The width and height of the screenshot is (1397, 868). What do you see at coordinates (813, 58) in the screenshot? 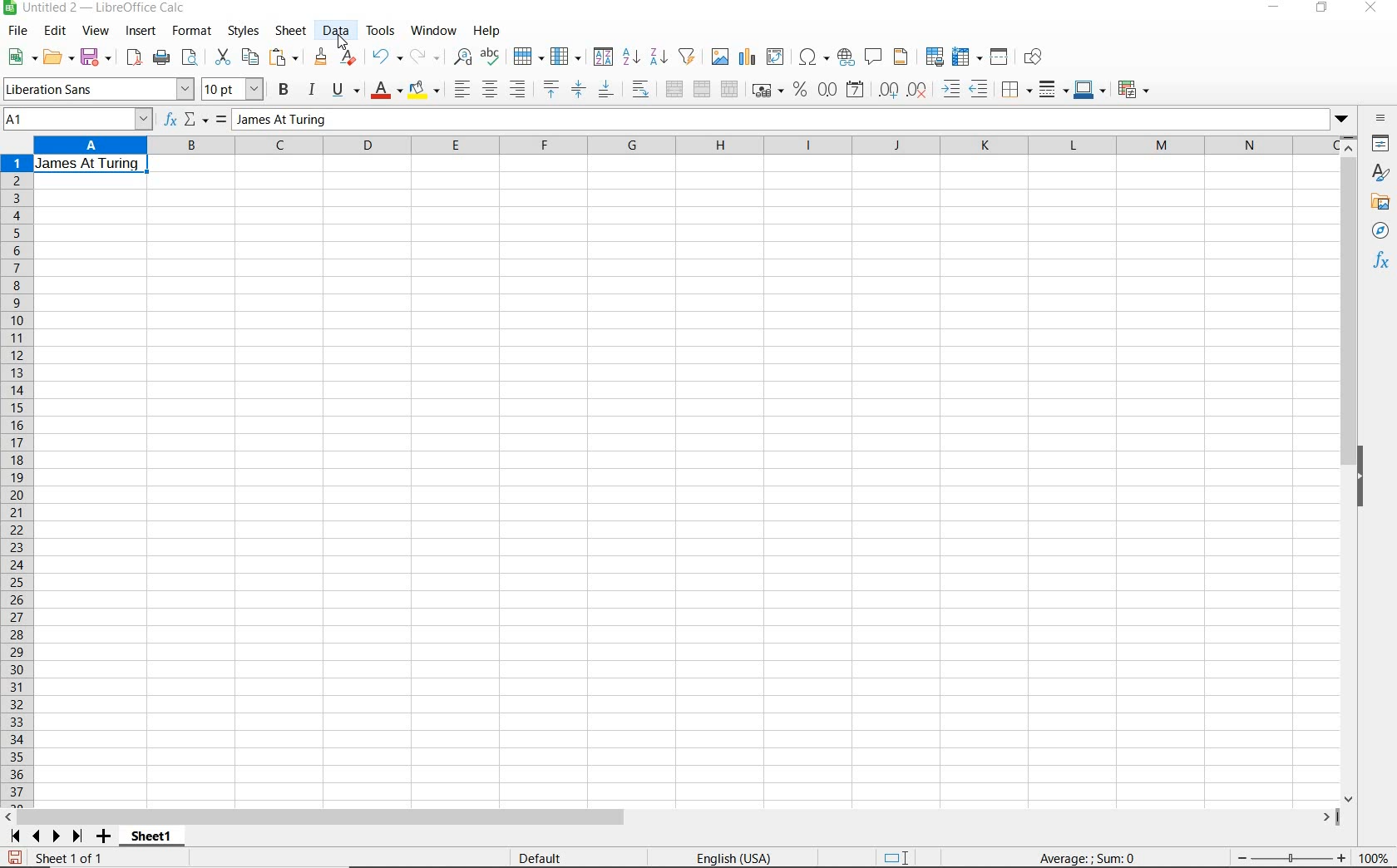
I see `insert special characters` at bounding box center [813, 58].